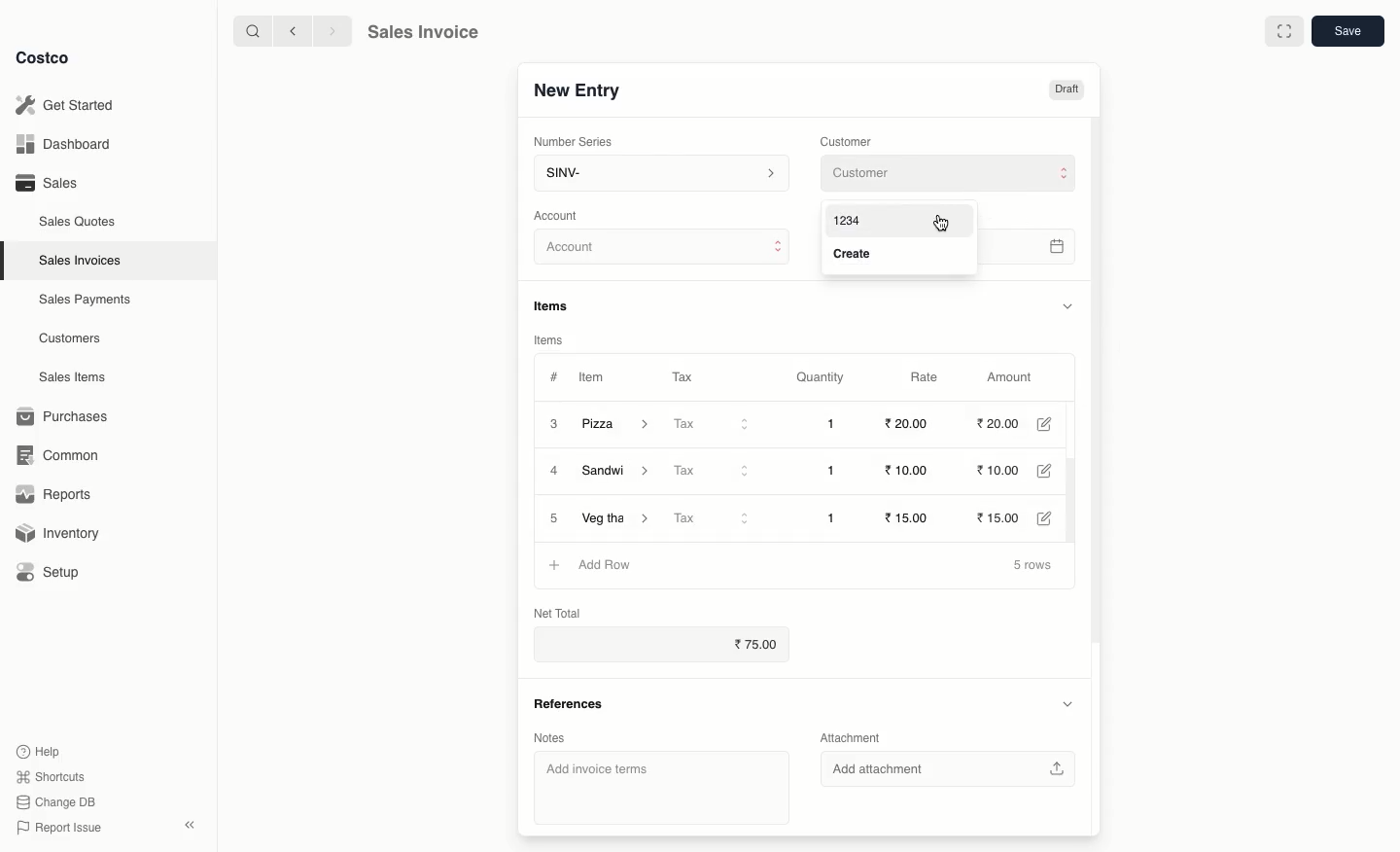 This screenshot has height=852, width=1400. I want to click on Forward, so click(332, 32).